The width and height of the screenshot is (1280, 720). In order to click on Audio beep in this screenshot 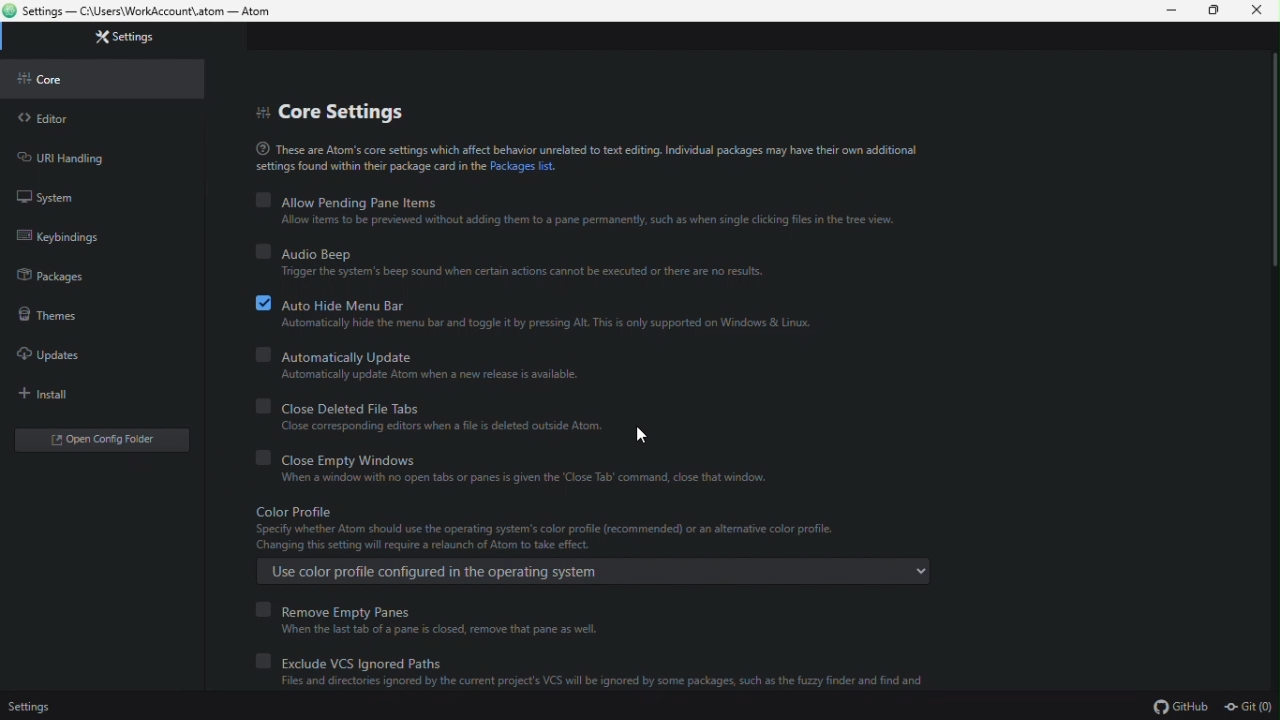, I will do `click(536, 260)`.